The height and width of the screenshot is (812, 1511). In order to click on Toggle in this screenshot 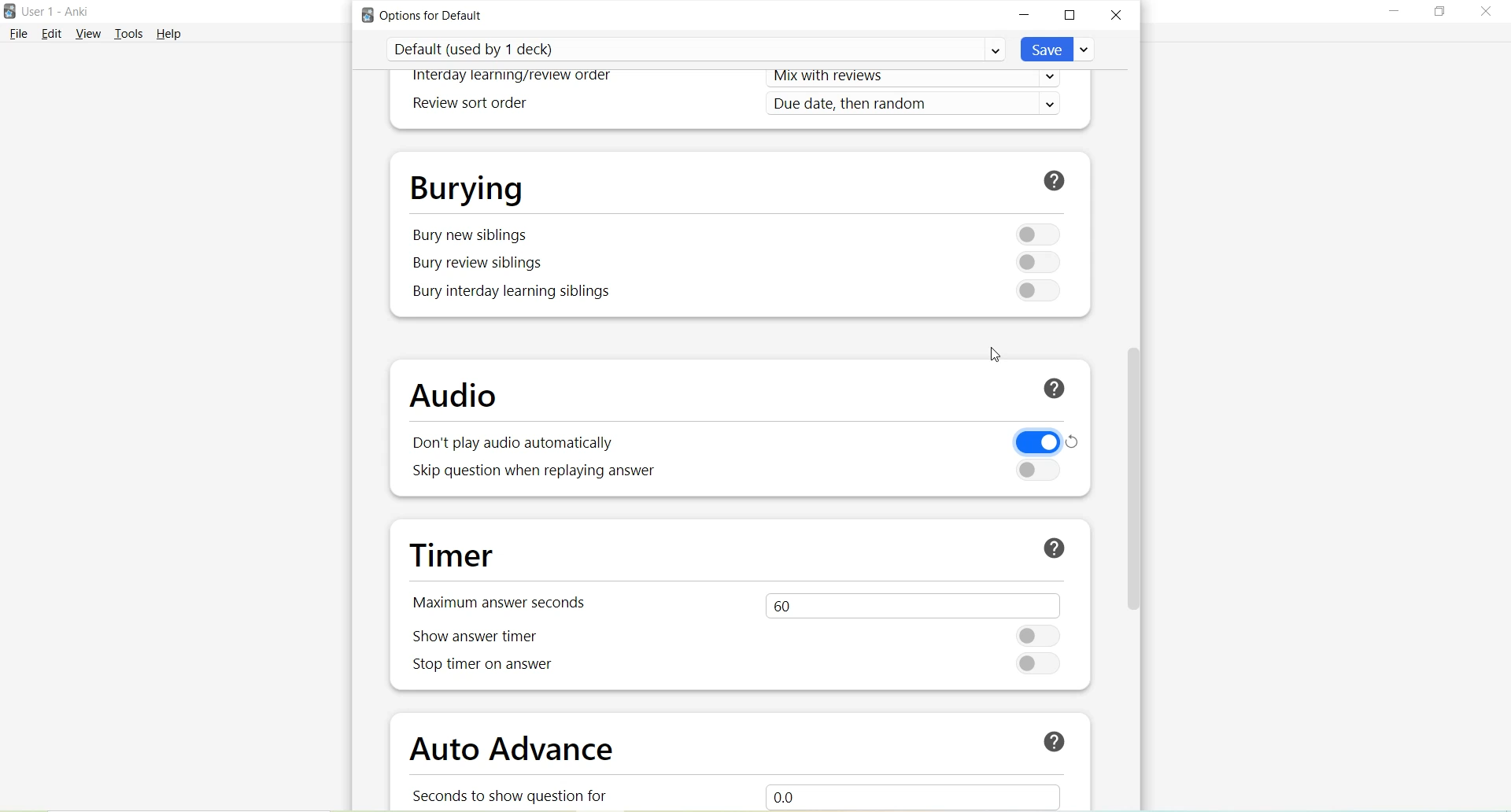, I will do `click(1034, 263)`.